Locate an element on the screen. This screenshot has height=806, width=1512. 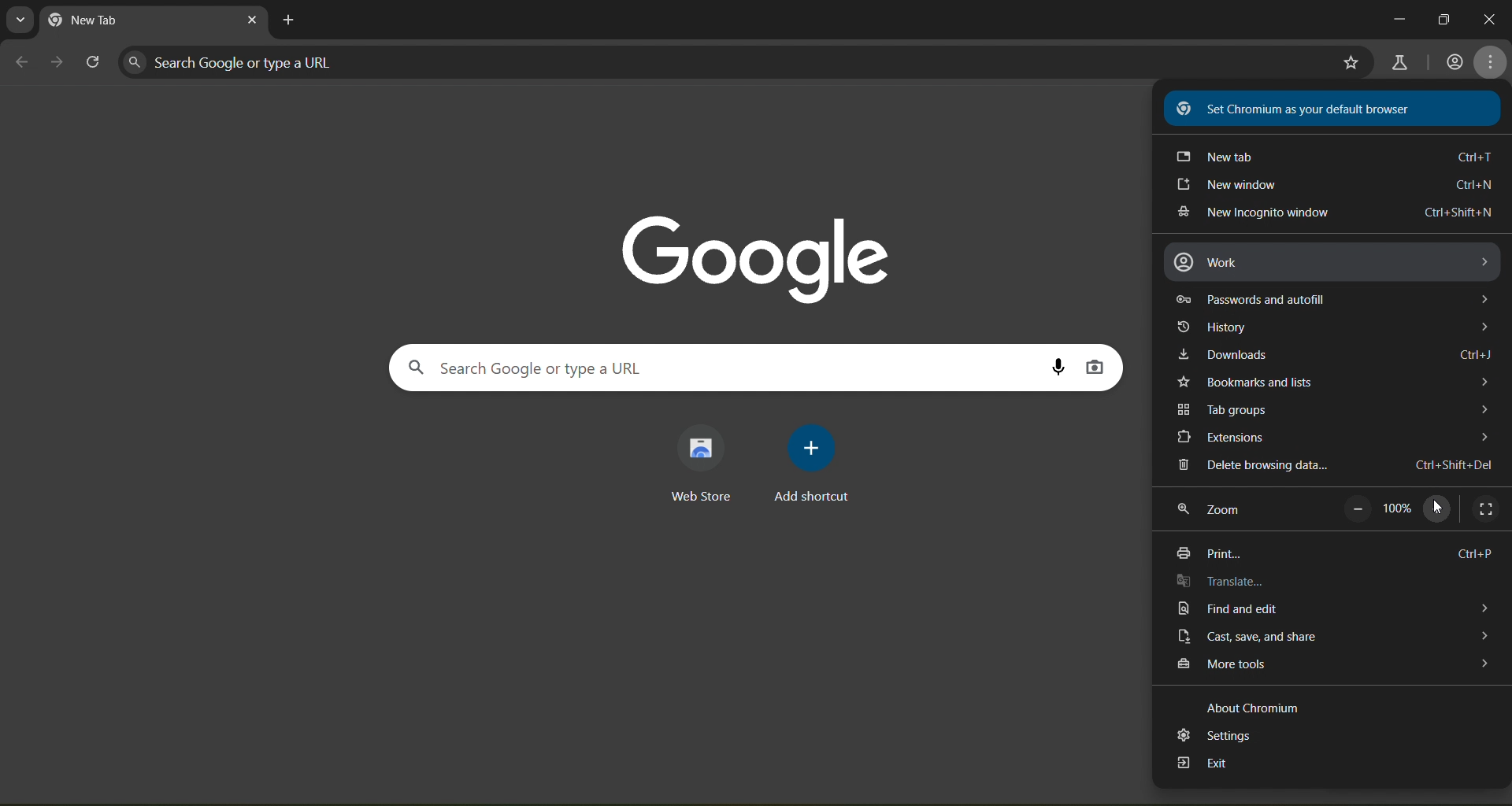
Google logo is located at coordinates (758, 253).